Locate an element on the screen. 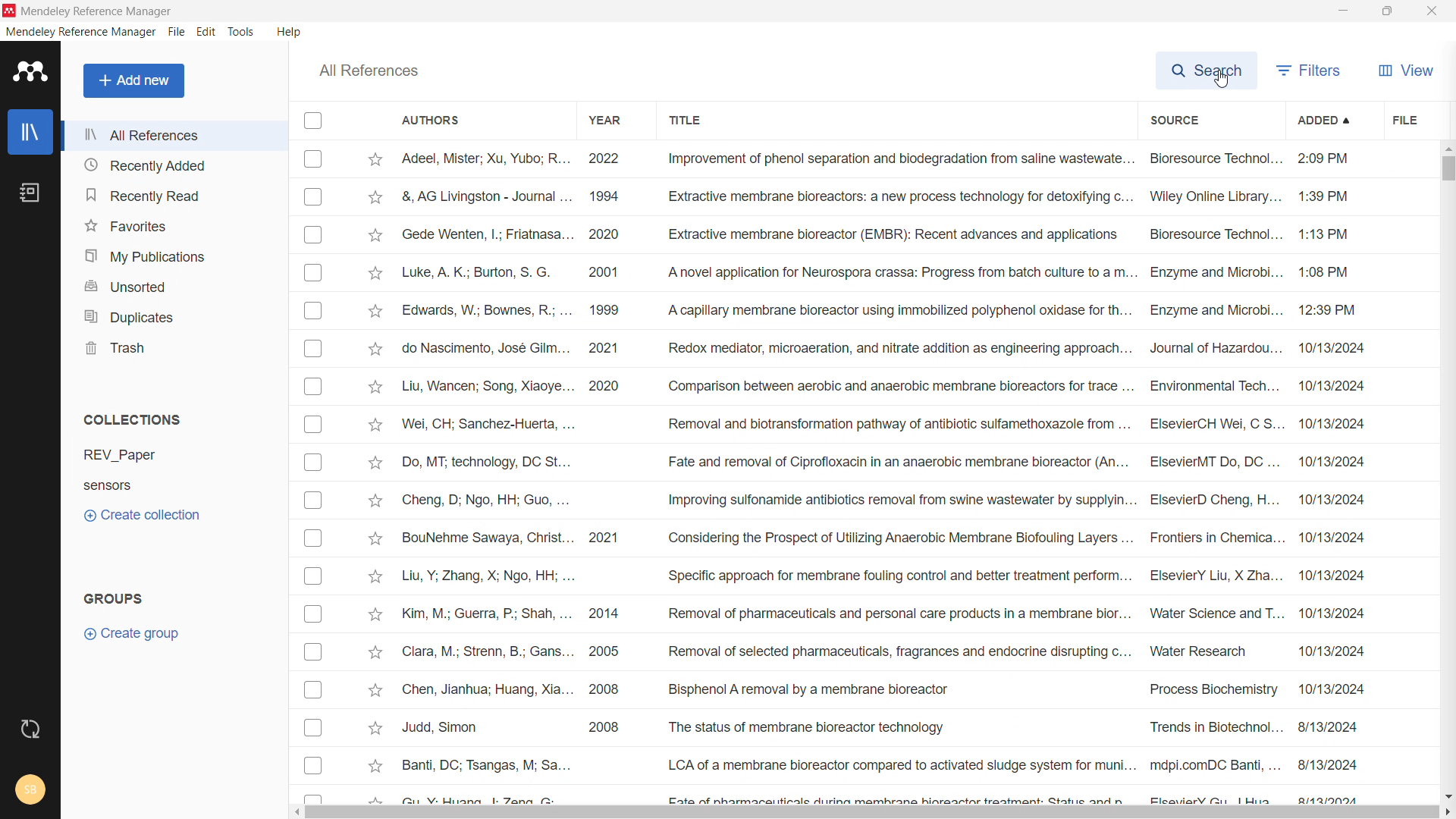  file is located at coordinates (176, 32).